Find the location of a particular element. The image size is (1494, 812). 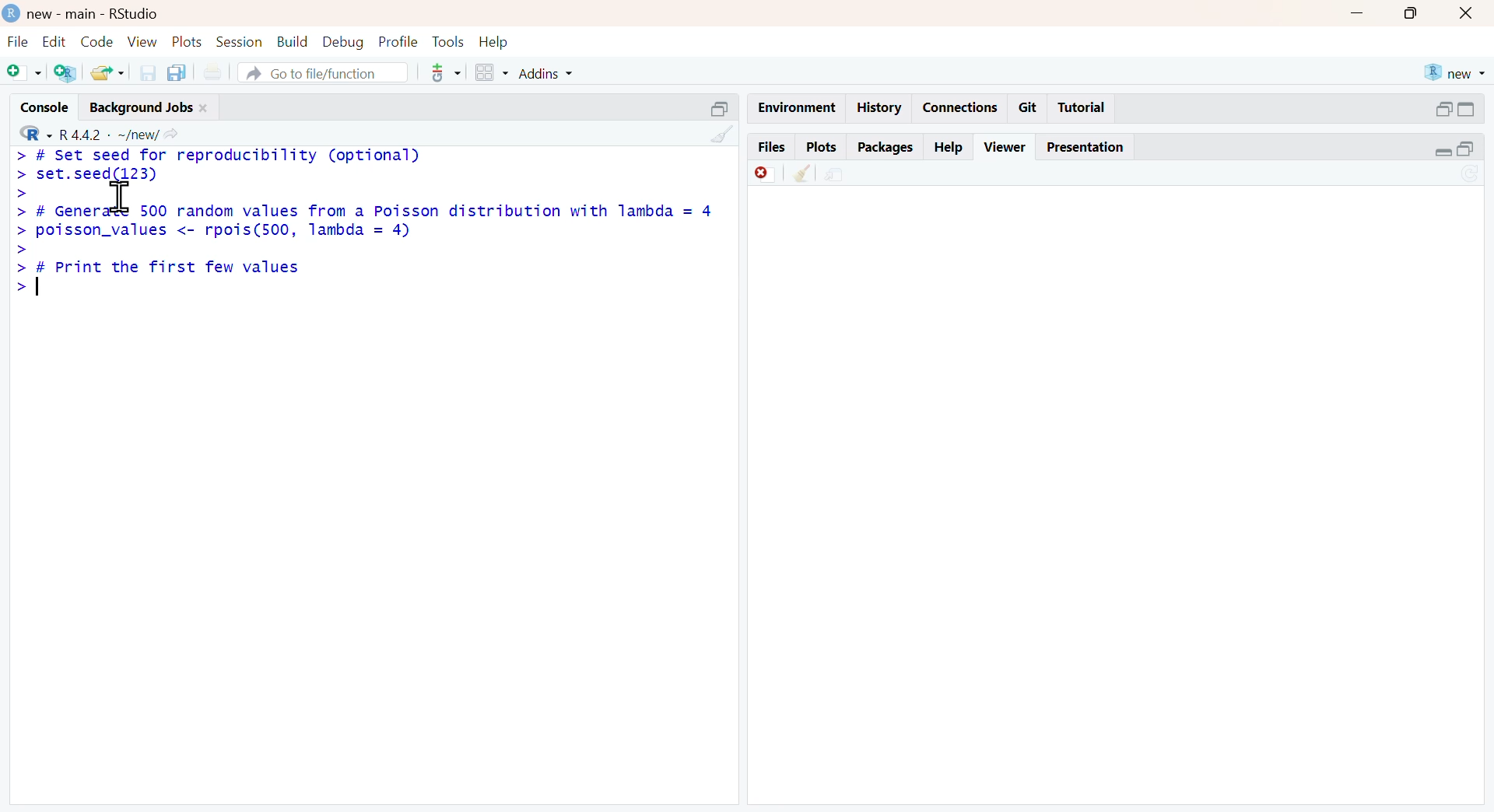

expand/collapse is located at coordinates (1468, 110).